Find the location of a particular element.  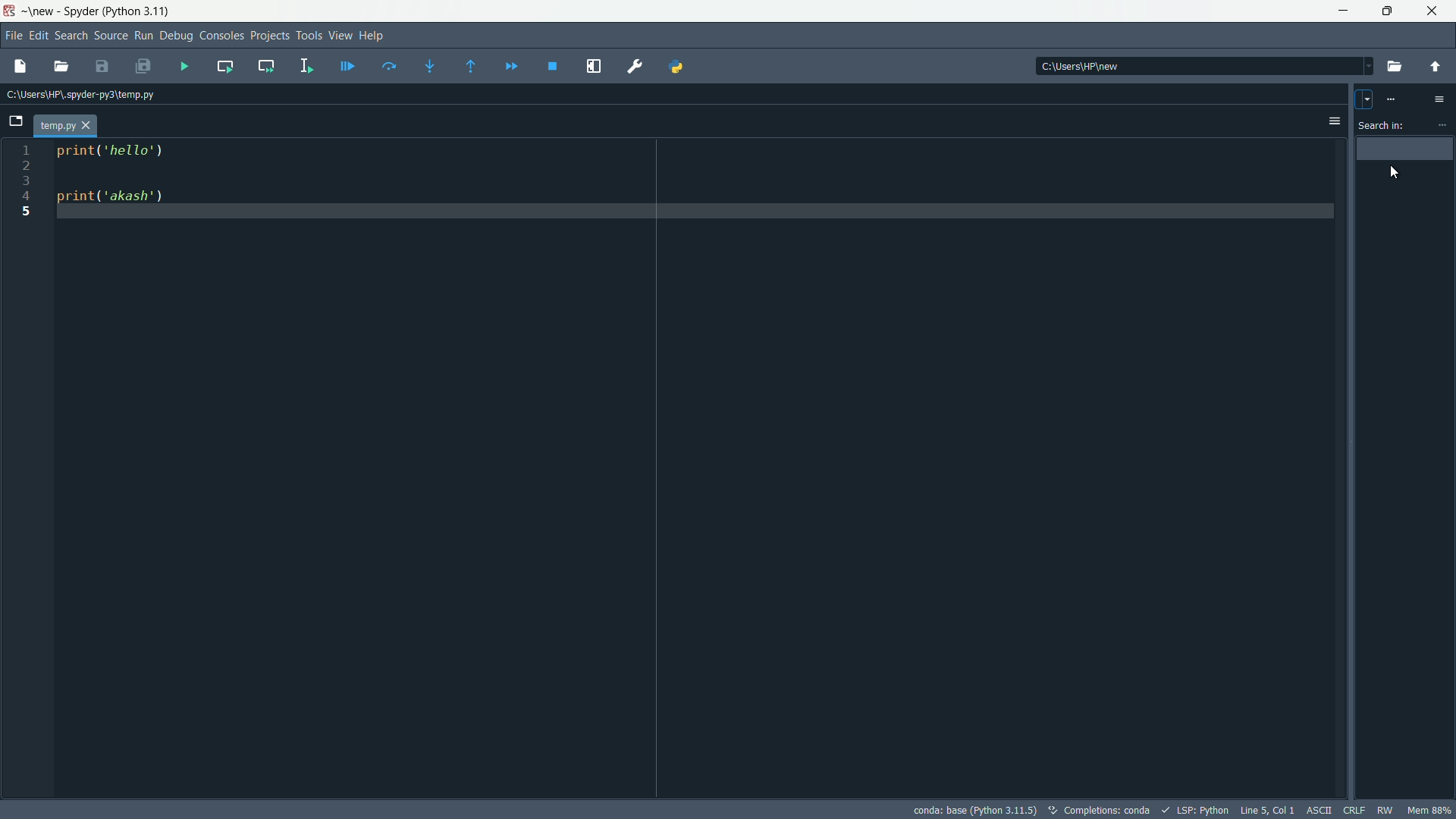

run current cell is located at coordinates (226, 67).